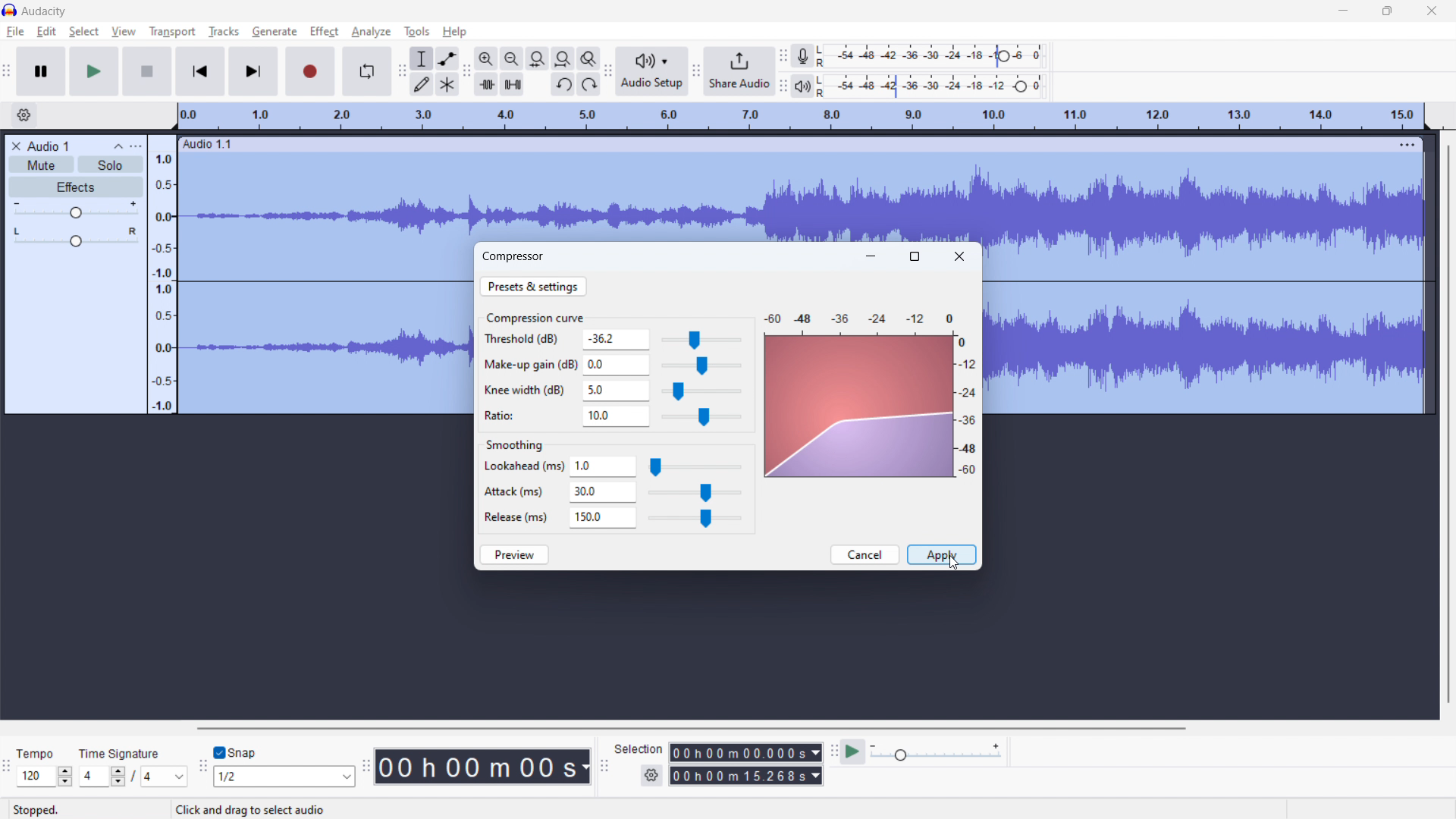  Describe the element at coordinates (366, 768) in the screenshot. I see `time toolbar` at that location.